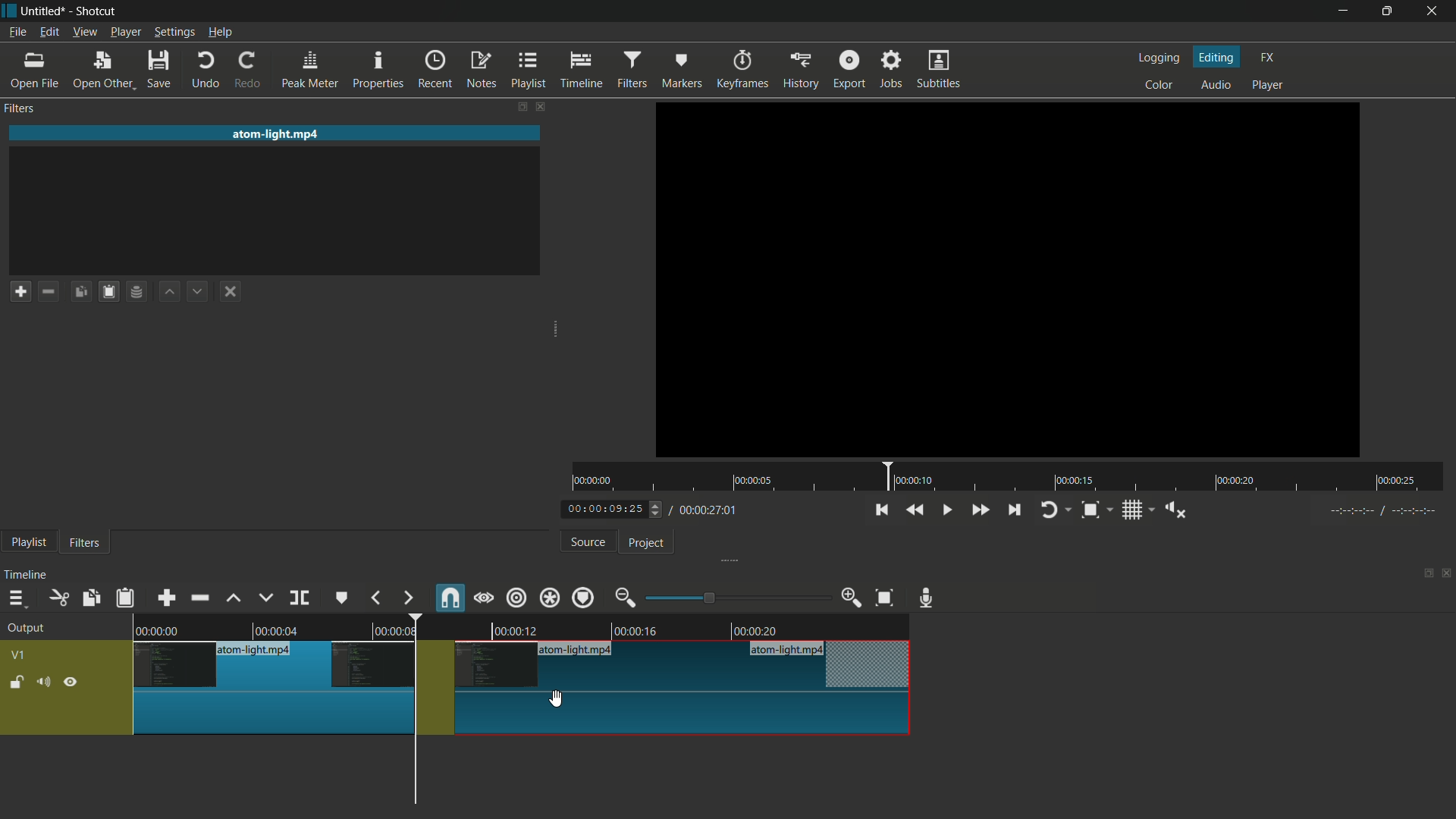 Image resolution: width=1456 pixels, height=819 pixels. I want to click on logging, so click(1162, 58).